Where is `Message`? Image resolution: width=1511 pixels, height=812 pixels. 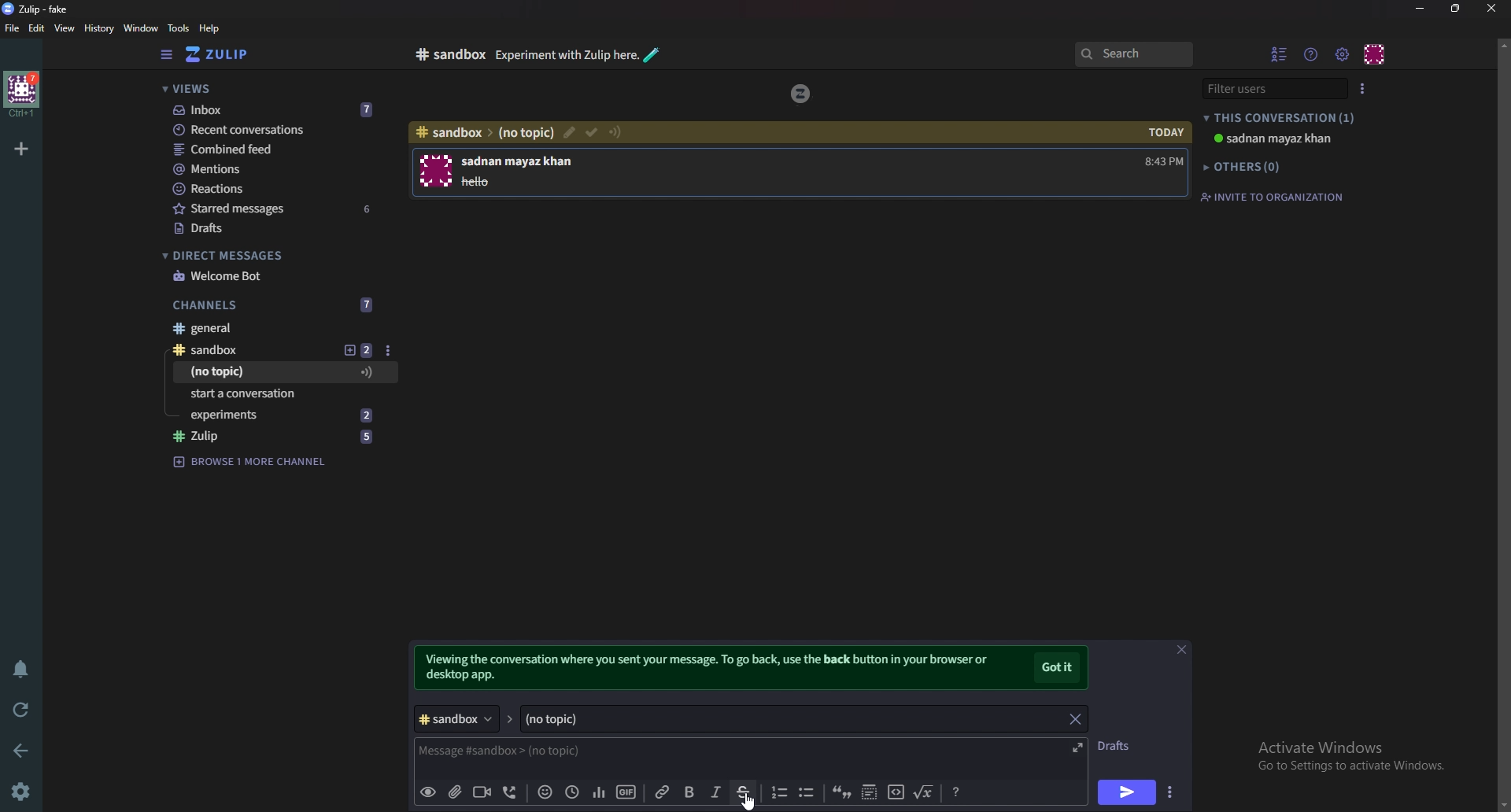 Message is located at coordinates (287, 372).